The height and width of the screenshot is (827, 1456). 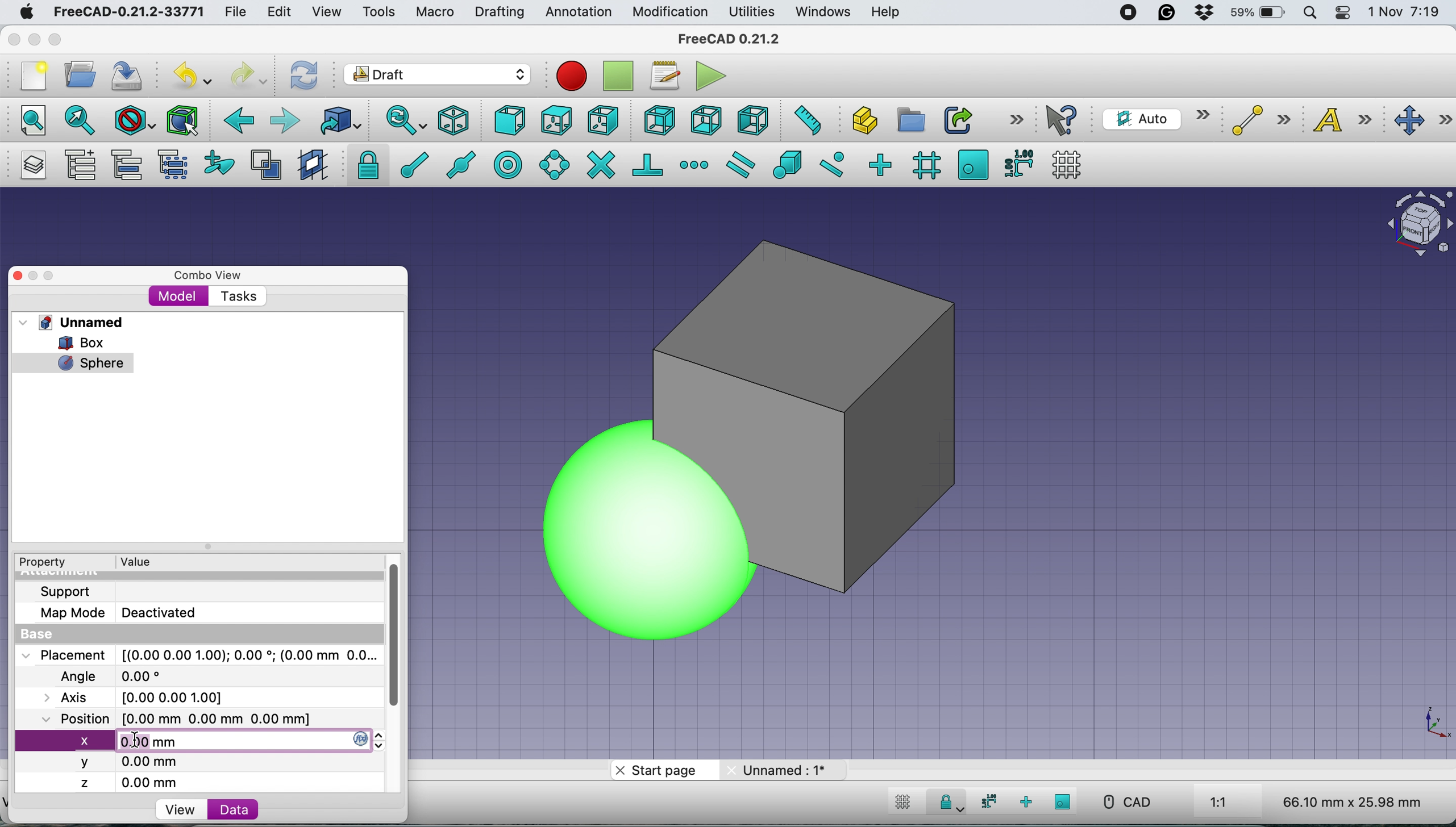 I want to click on fit selections, so click(x=83, y=119).